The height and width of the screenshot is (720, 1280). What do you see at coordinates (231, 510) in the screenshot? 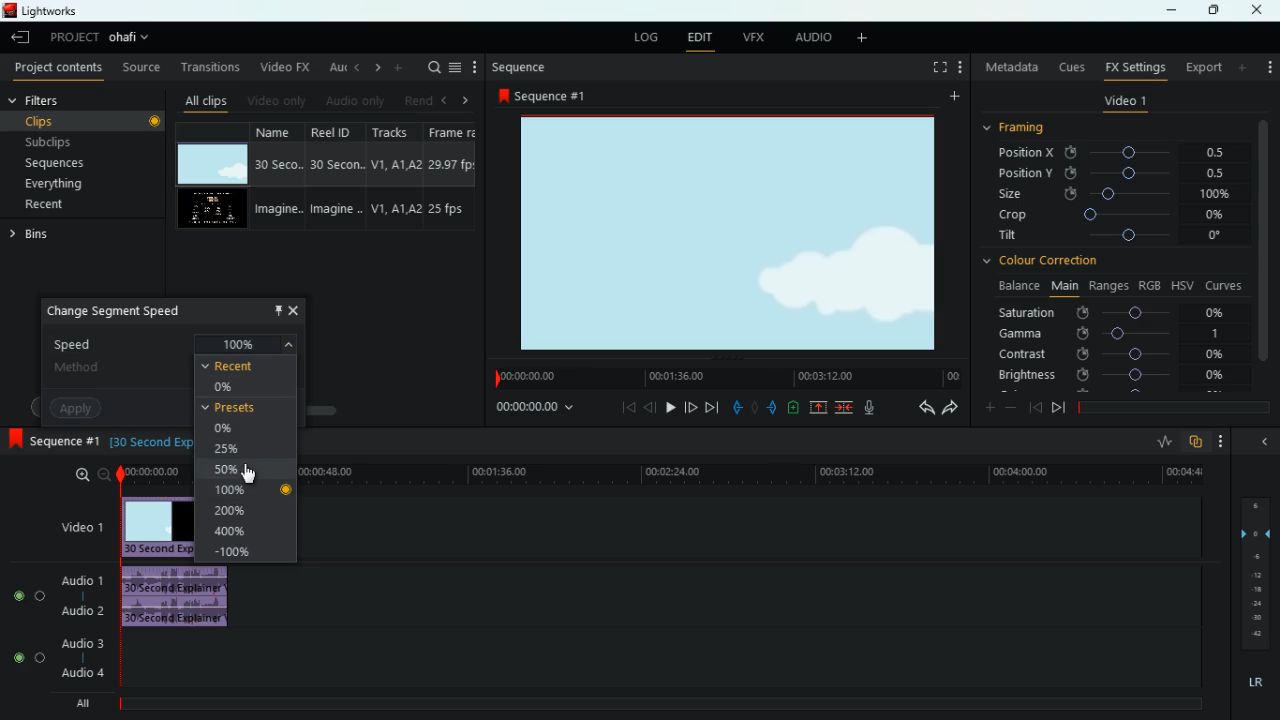
I see `200` at bounding box center [231, 510].